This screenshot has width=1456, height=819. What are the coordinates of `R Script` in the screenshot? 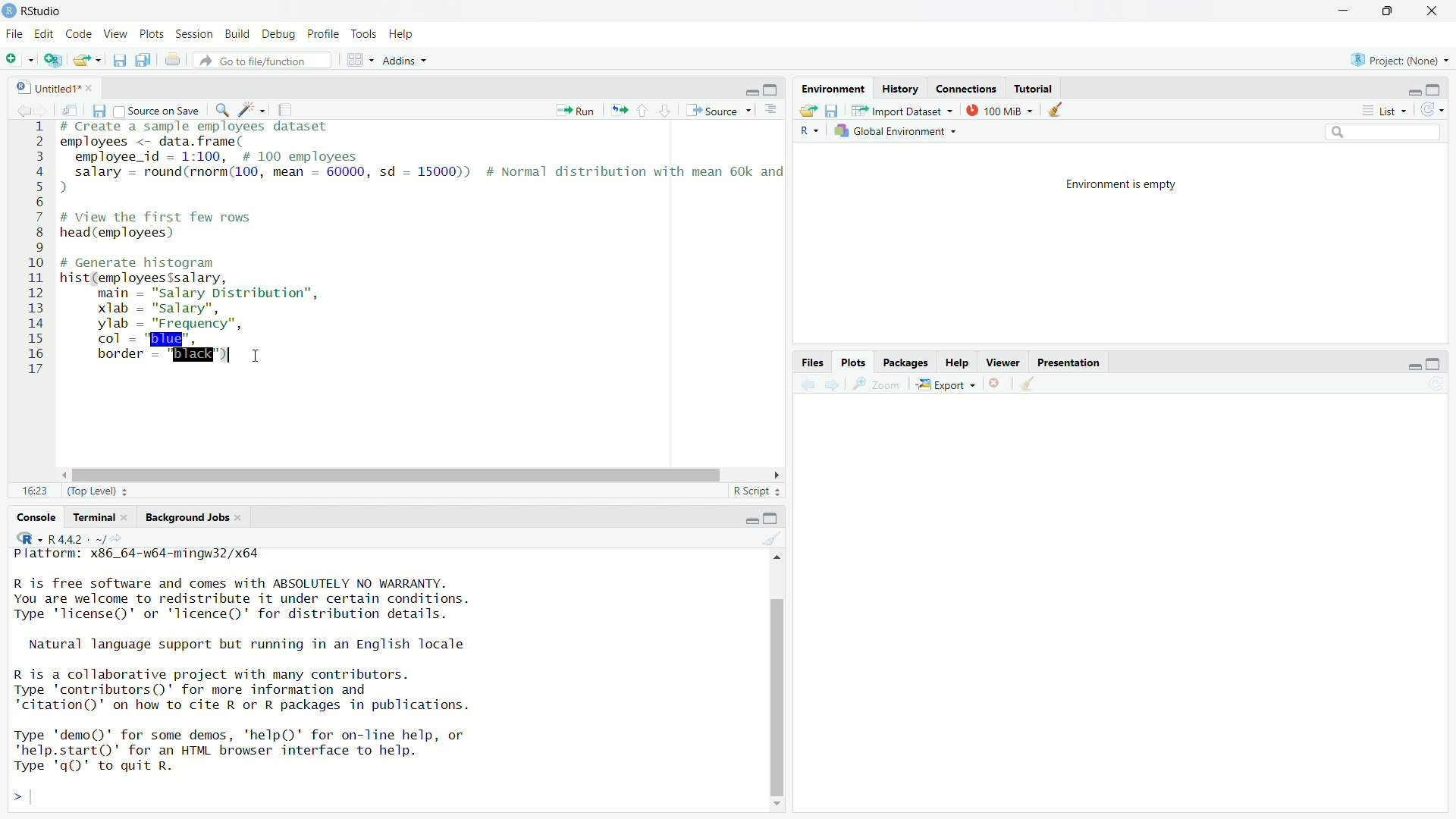 It's located at (758, 491).